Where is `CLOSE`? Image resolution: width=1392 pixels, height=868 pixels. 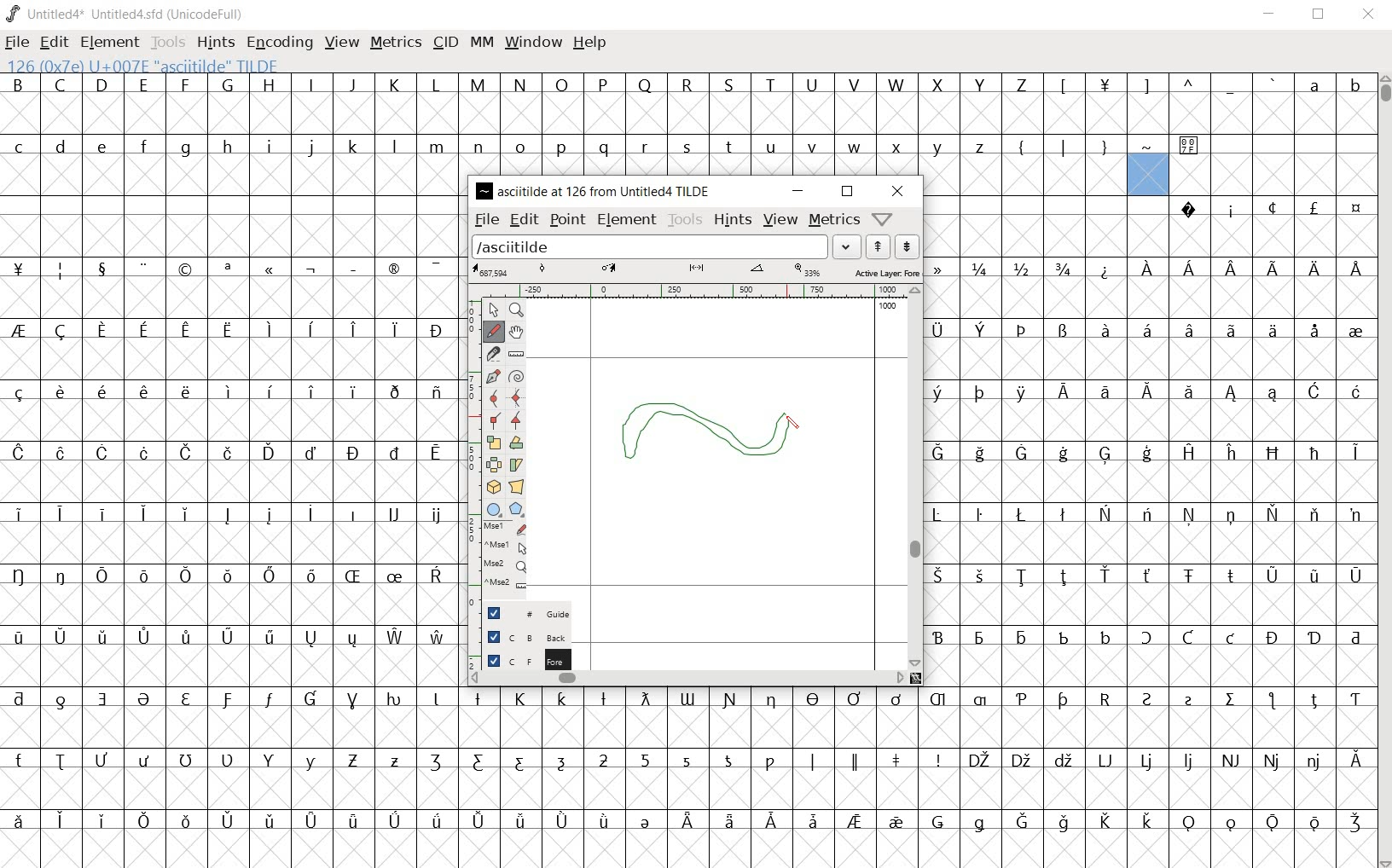
CLOSE is located at coordinates (1368, 14).